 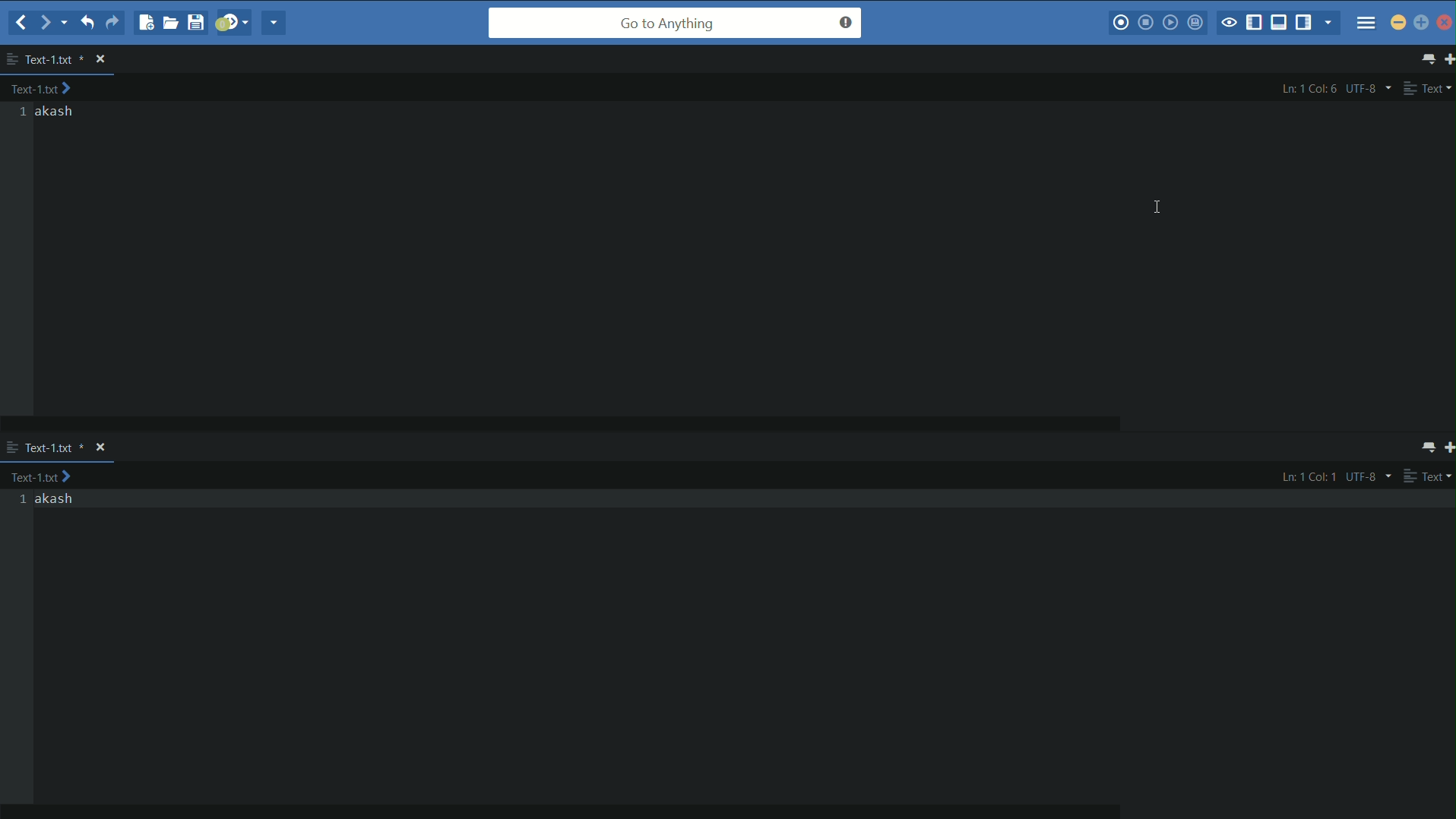 I want to click on new file, so click(x=144, y=22).